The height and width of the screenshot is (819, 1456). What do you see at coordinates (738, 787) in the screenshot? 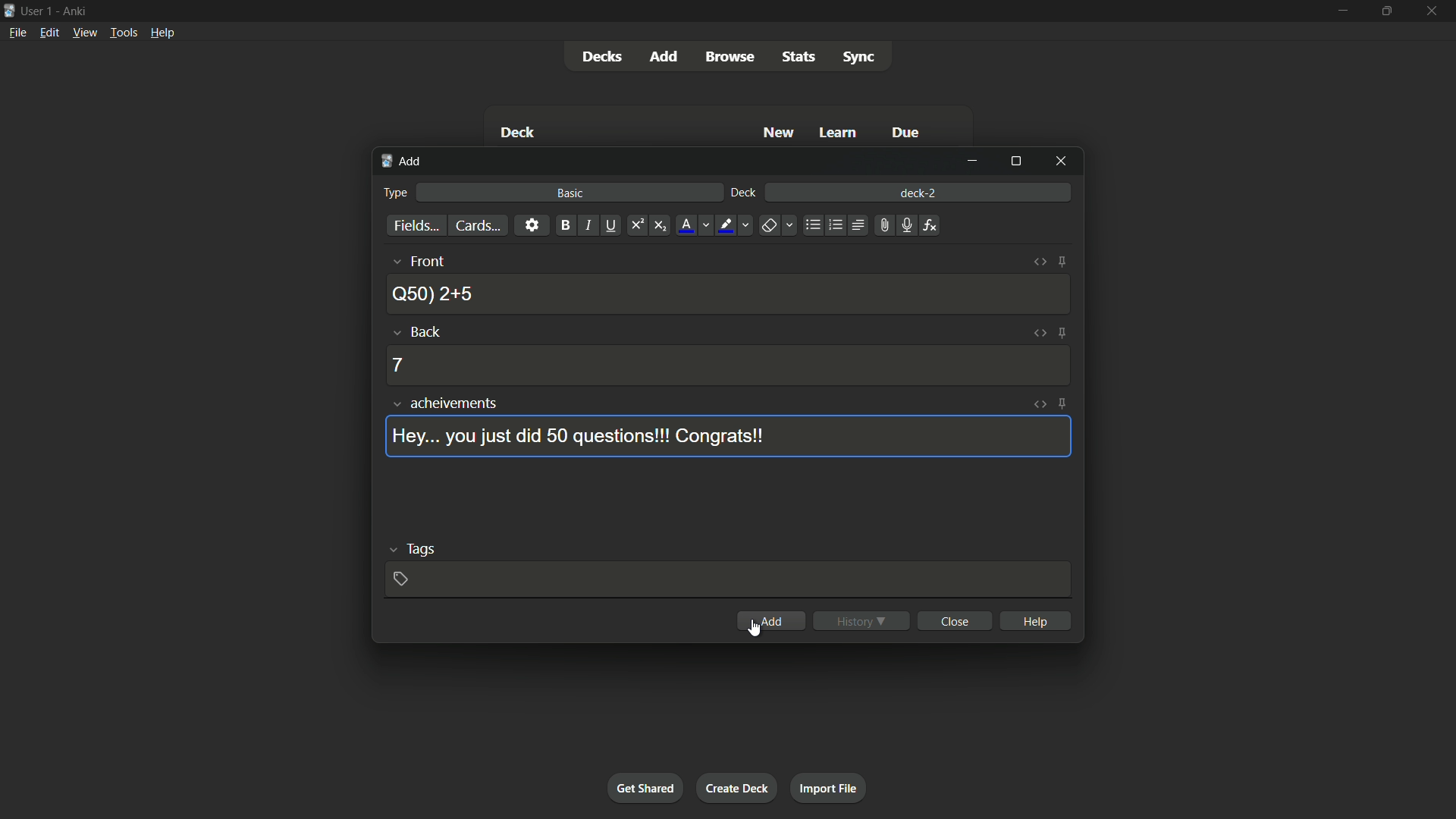
I see `create deck` at bounding box center [738, 787].